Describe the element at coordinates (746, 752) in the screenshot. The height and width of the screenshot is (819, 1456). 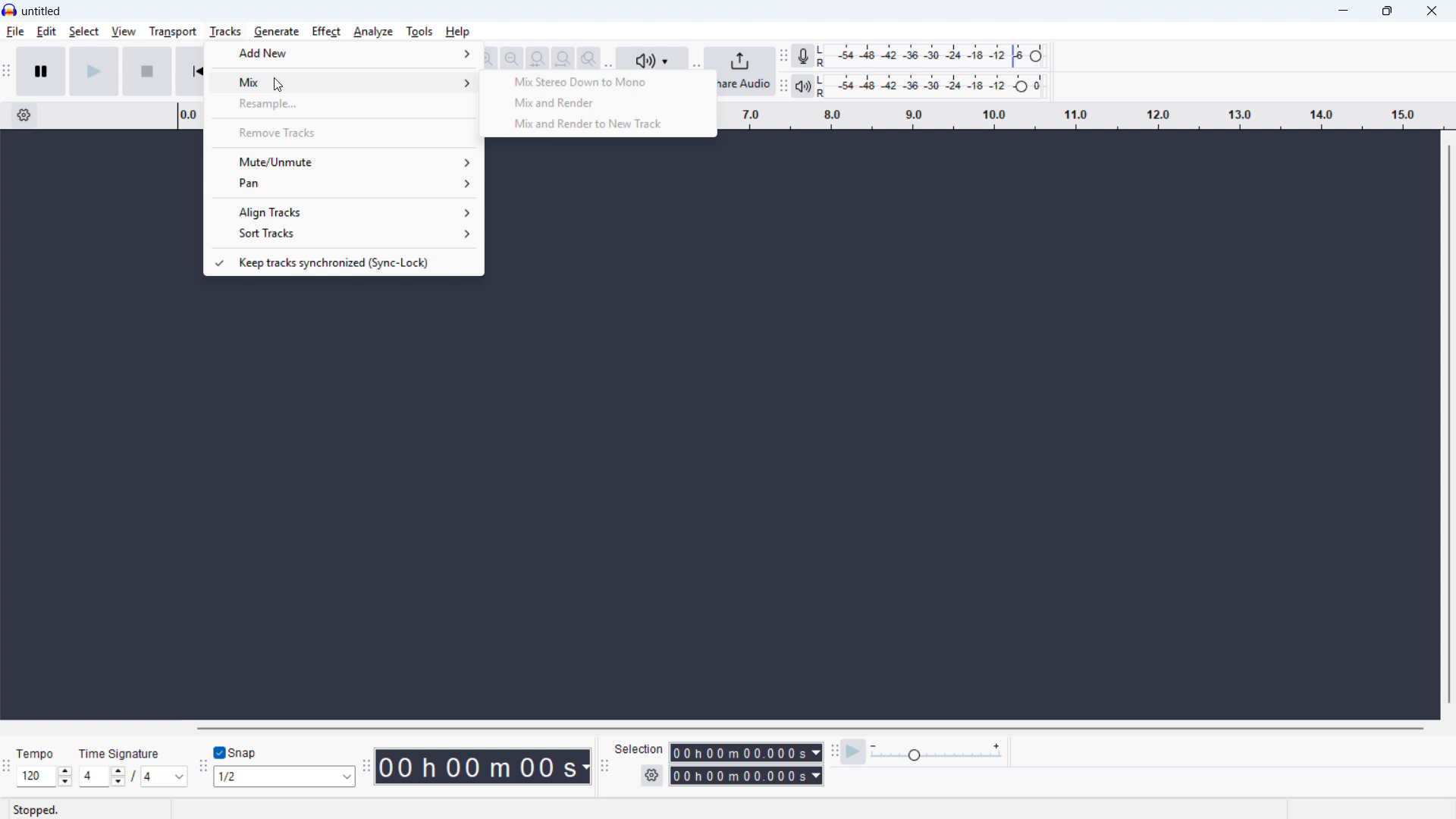
I see `Selection start time ` at that location.